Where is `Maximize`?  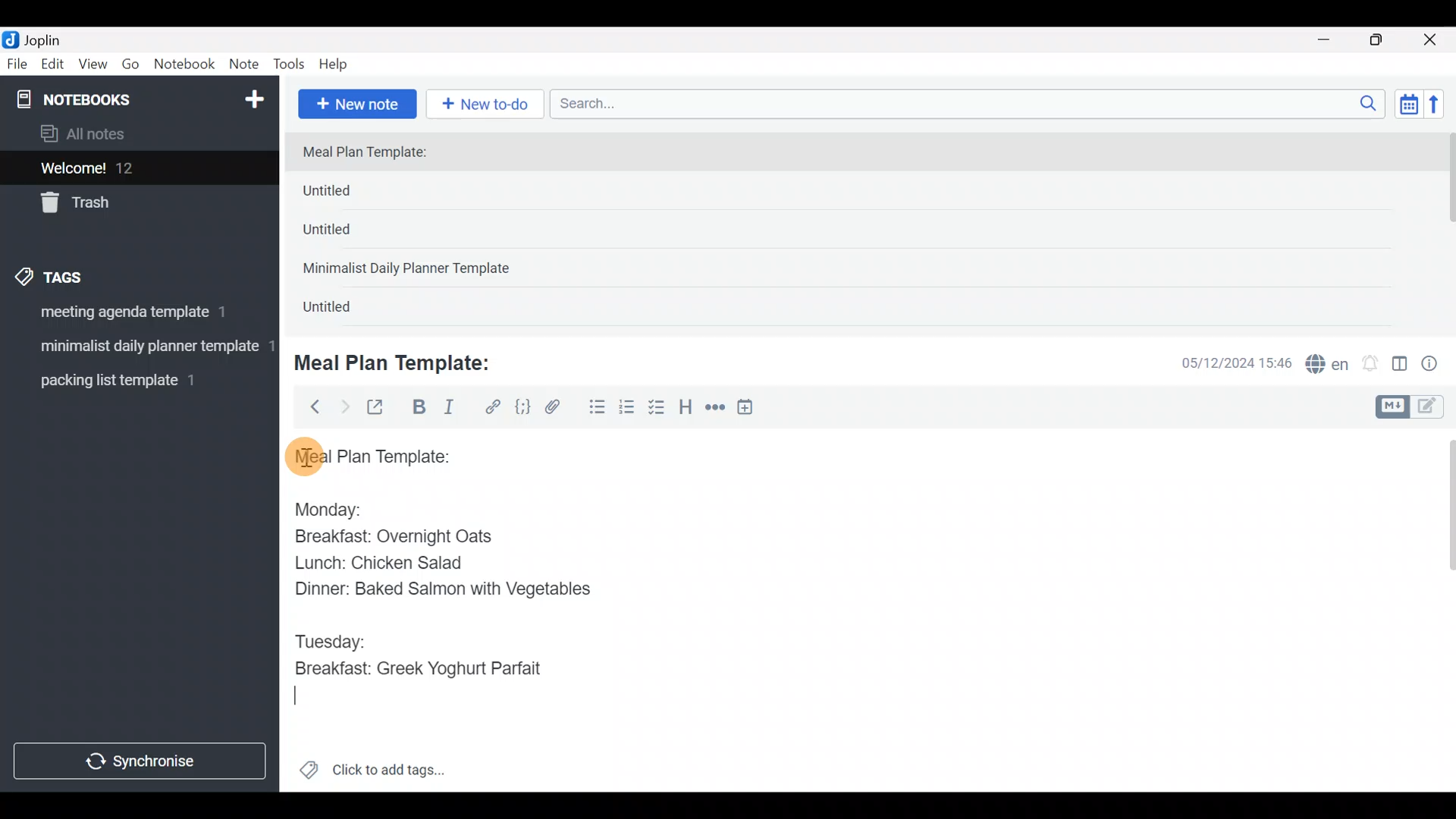
Maximize is located at coordinates (1385, 40).